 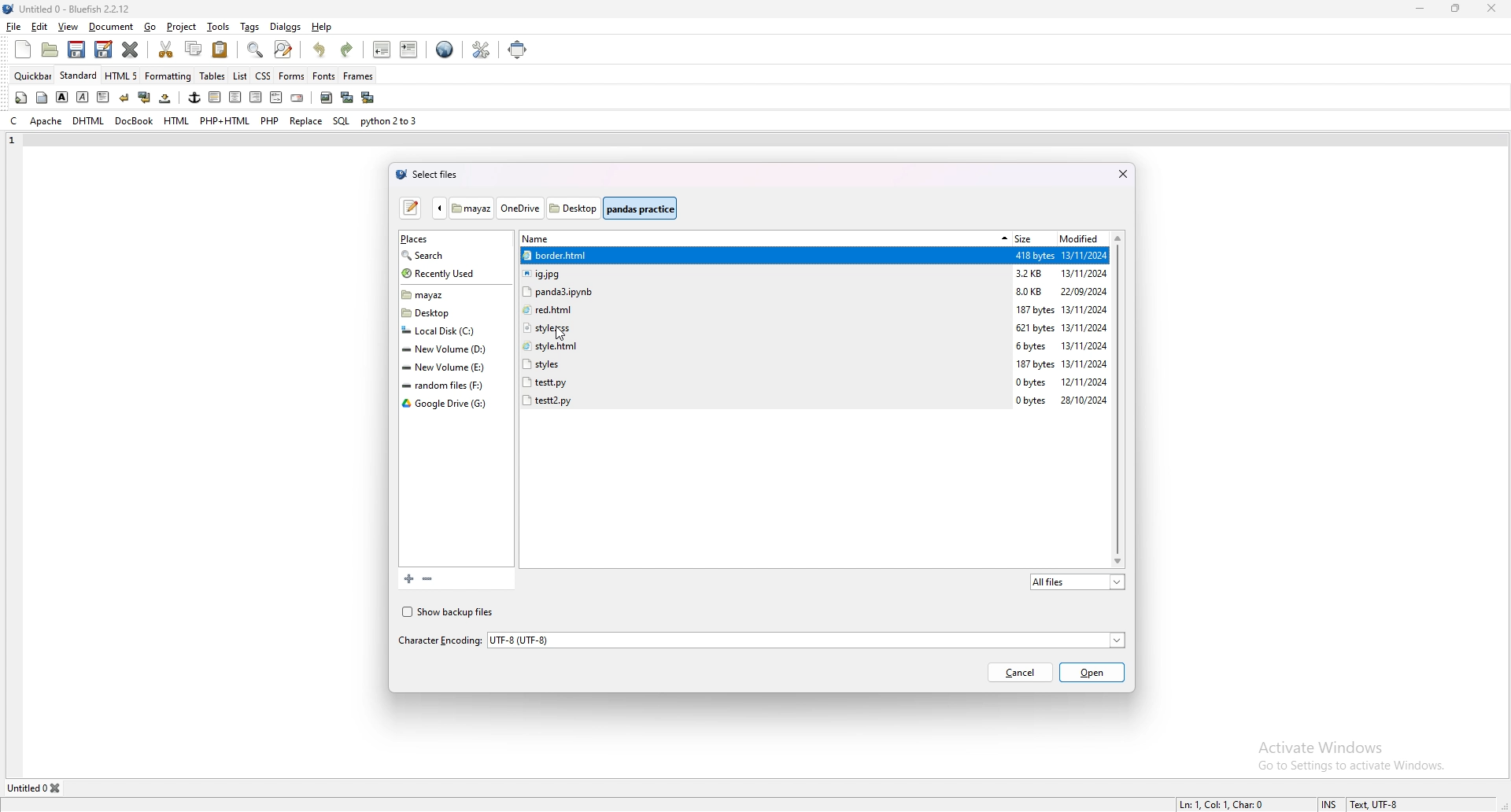 I want to click on bold, so click(x=62, y=98).